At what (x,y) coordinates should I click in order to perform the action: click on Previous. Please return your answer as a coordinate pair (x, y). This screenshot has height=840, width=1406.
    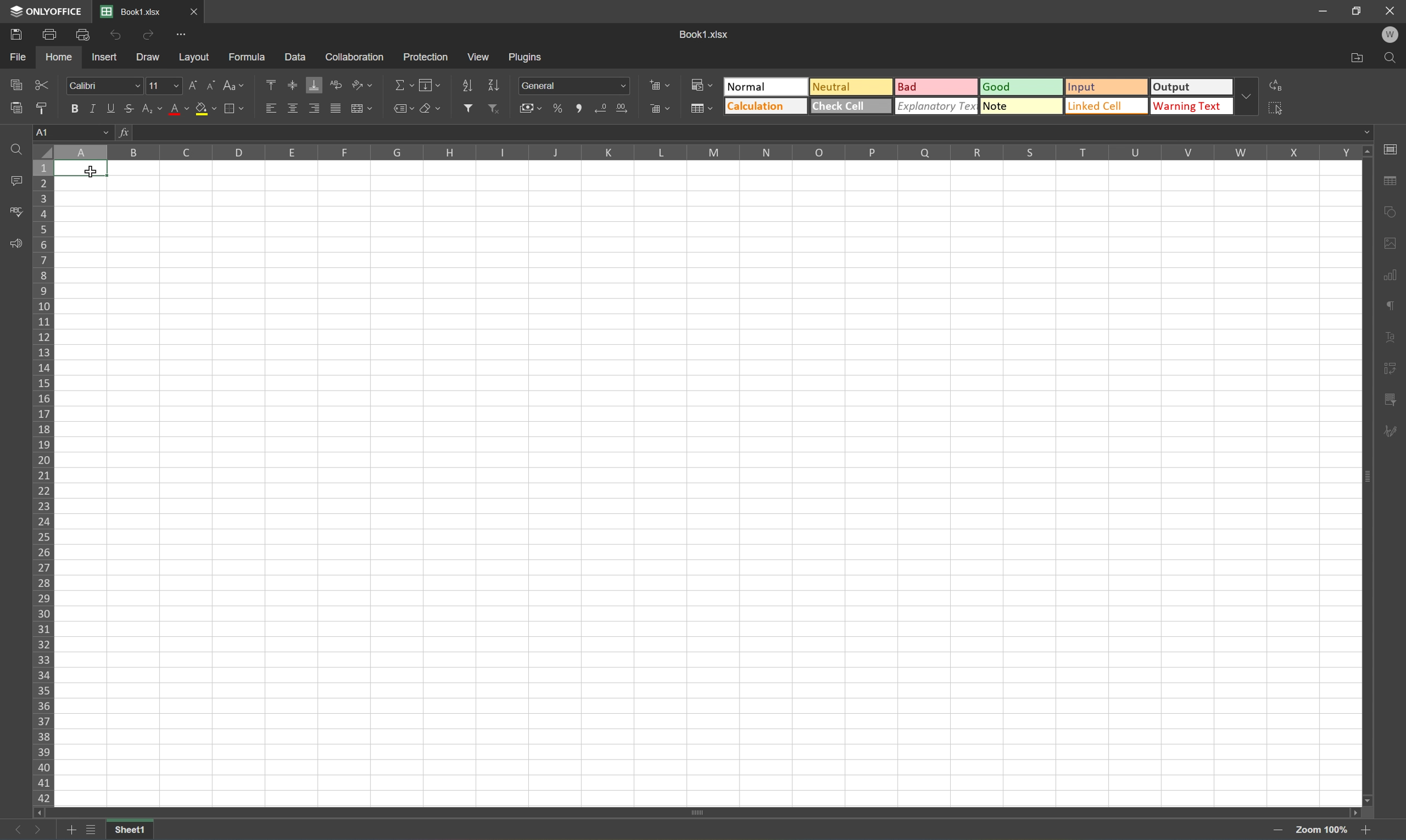
    Looking at the image, I should click on (11, 831).